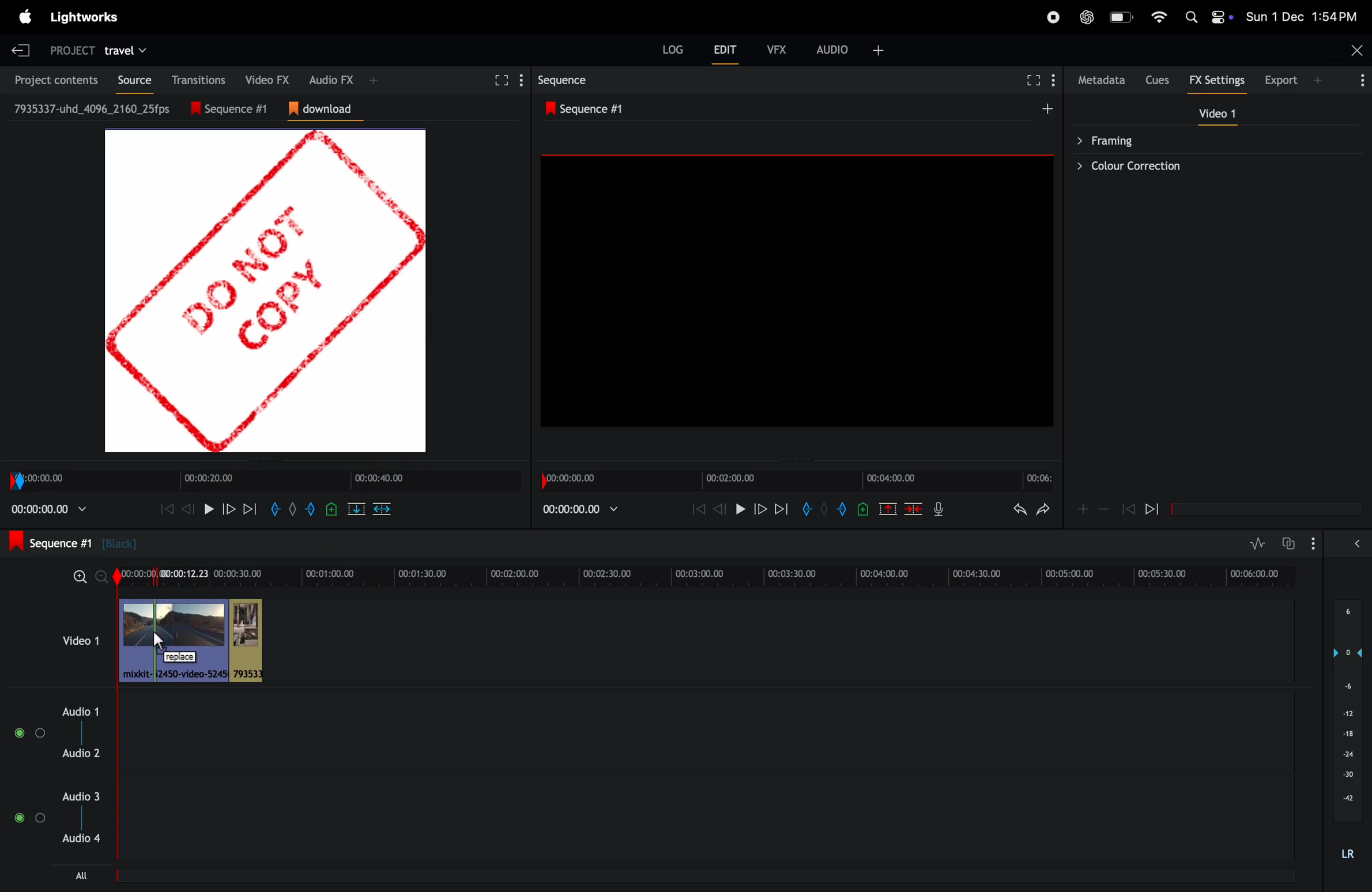 This screenshot has width=1372, height=892. I want to click on colour correction, so click(1209, 166).